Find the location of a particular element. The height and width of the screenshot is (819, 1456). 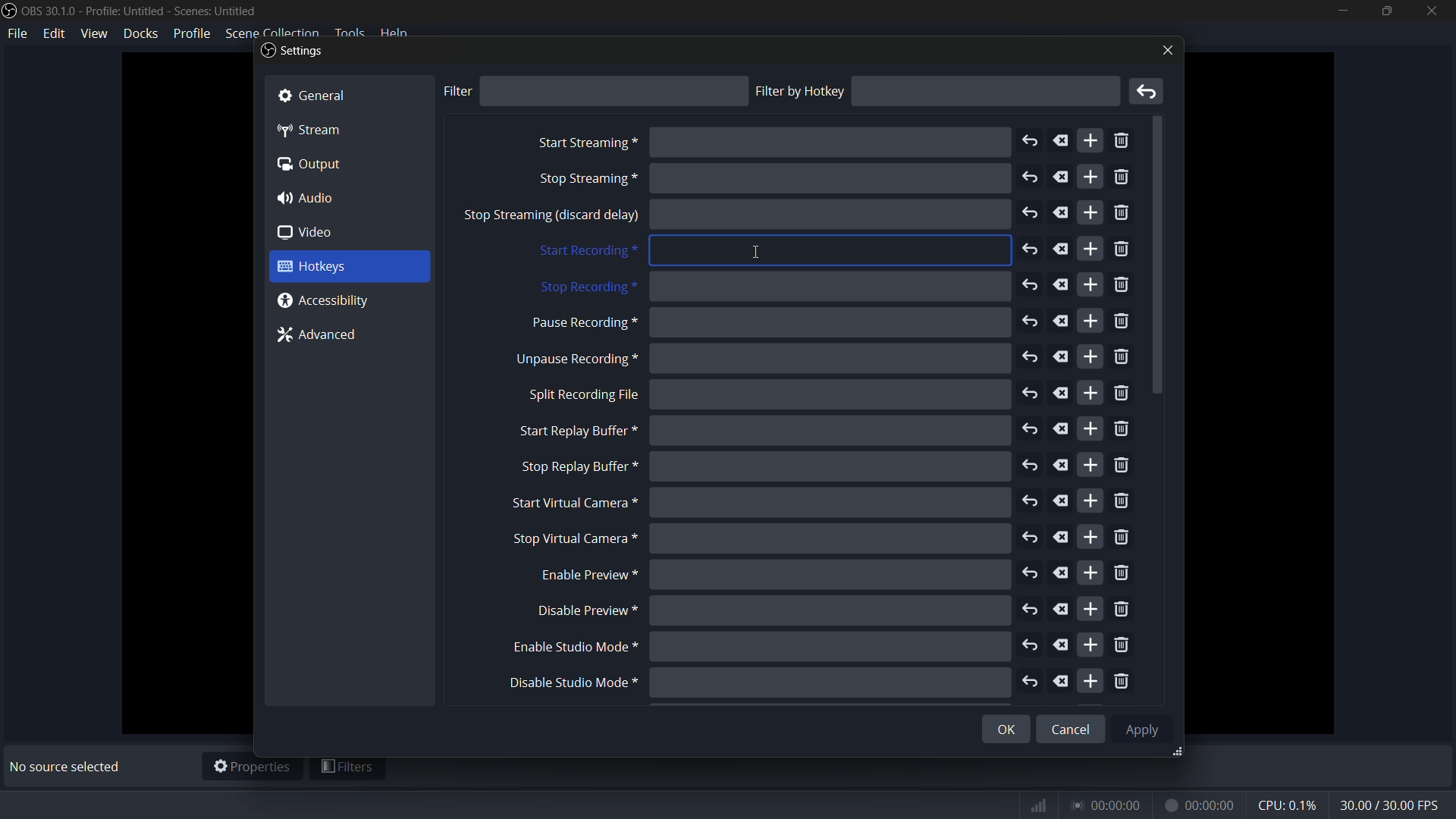

undo is located at coordinates (1031, 648).